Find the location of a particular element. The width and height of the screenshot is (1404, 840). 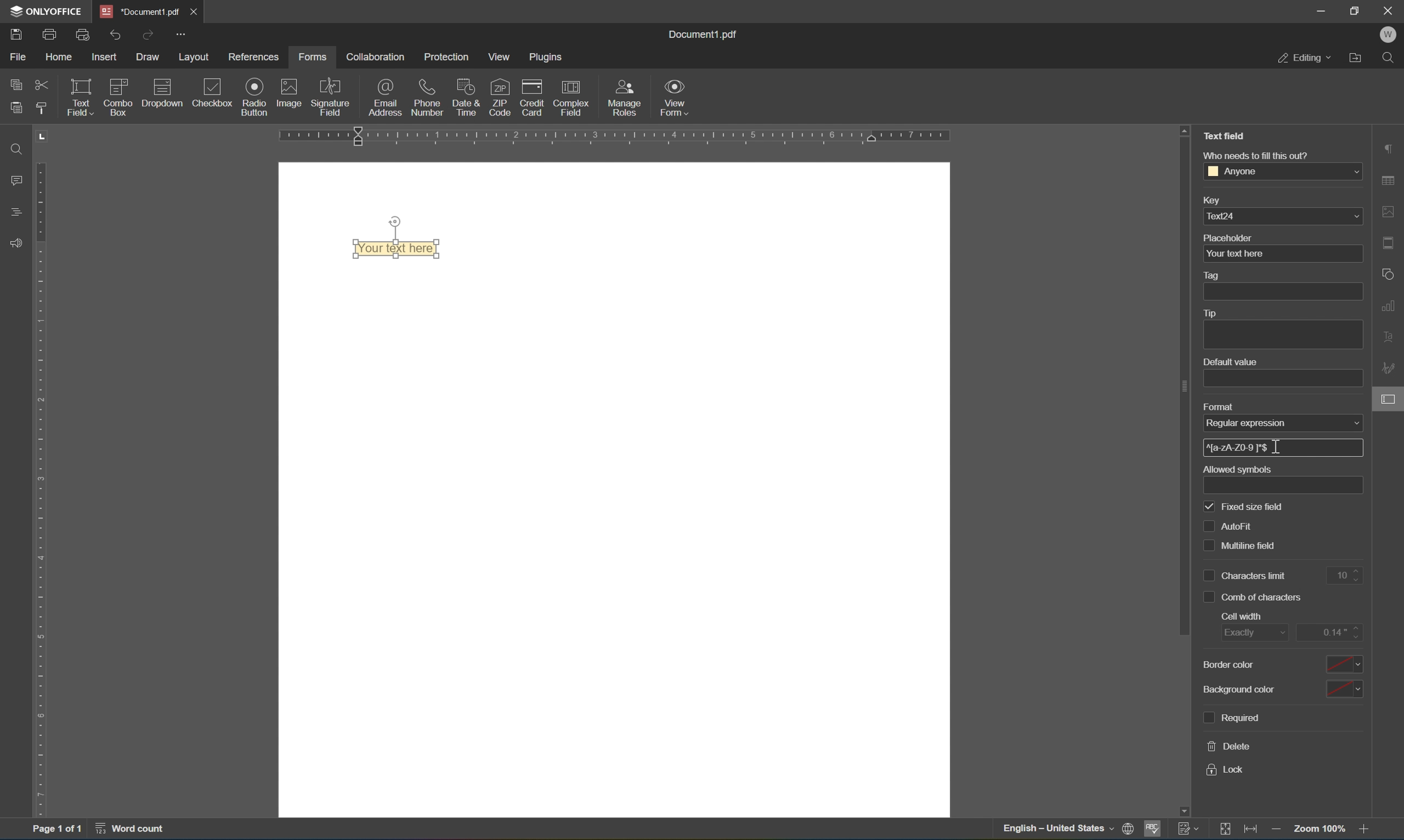

scroll bar is located at coordinates (1184, 387).